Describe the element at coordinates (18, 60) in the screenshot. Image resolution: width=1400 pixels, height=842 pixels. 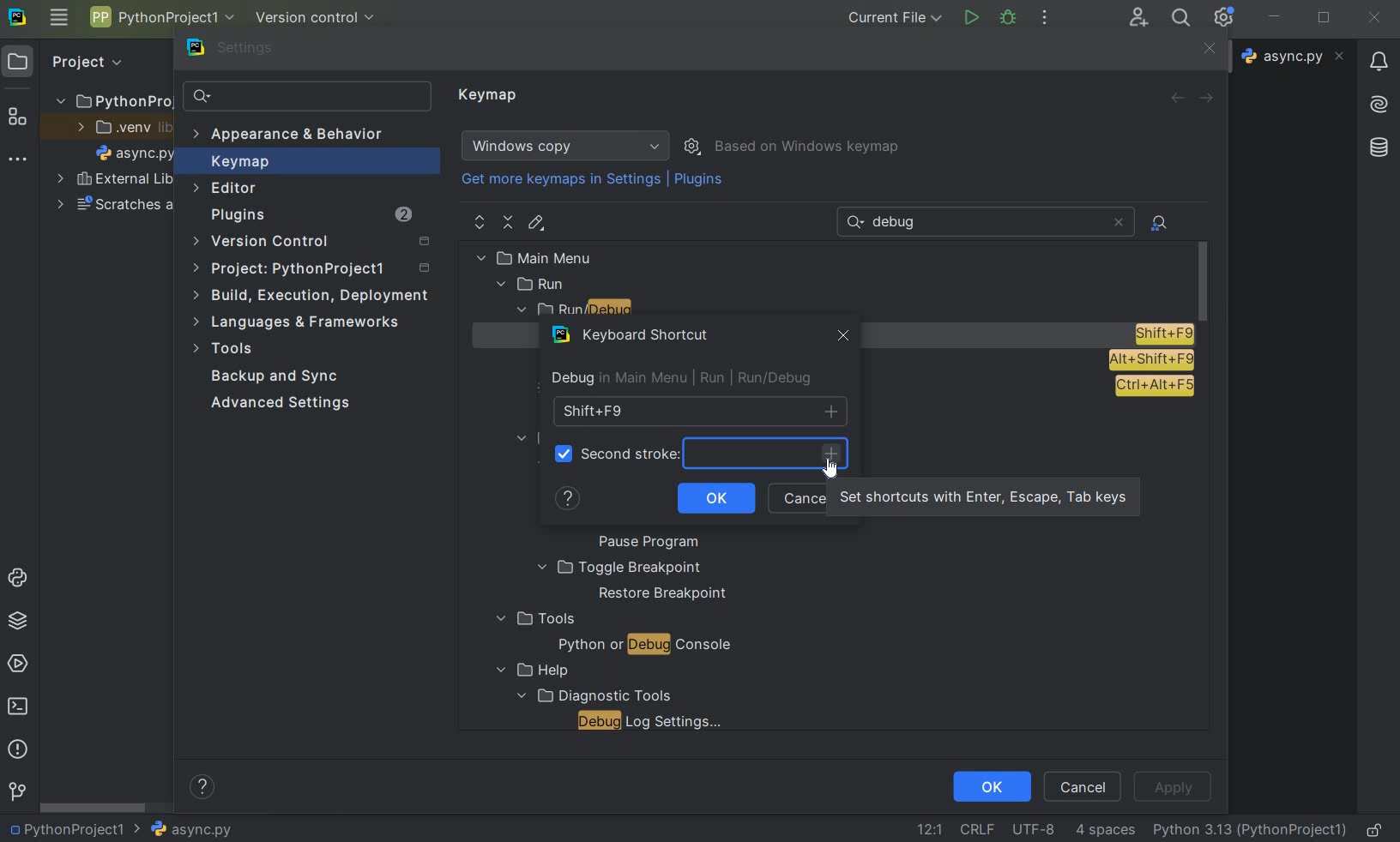
I see `project icon` at that location.